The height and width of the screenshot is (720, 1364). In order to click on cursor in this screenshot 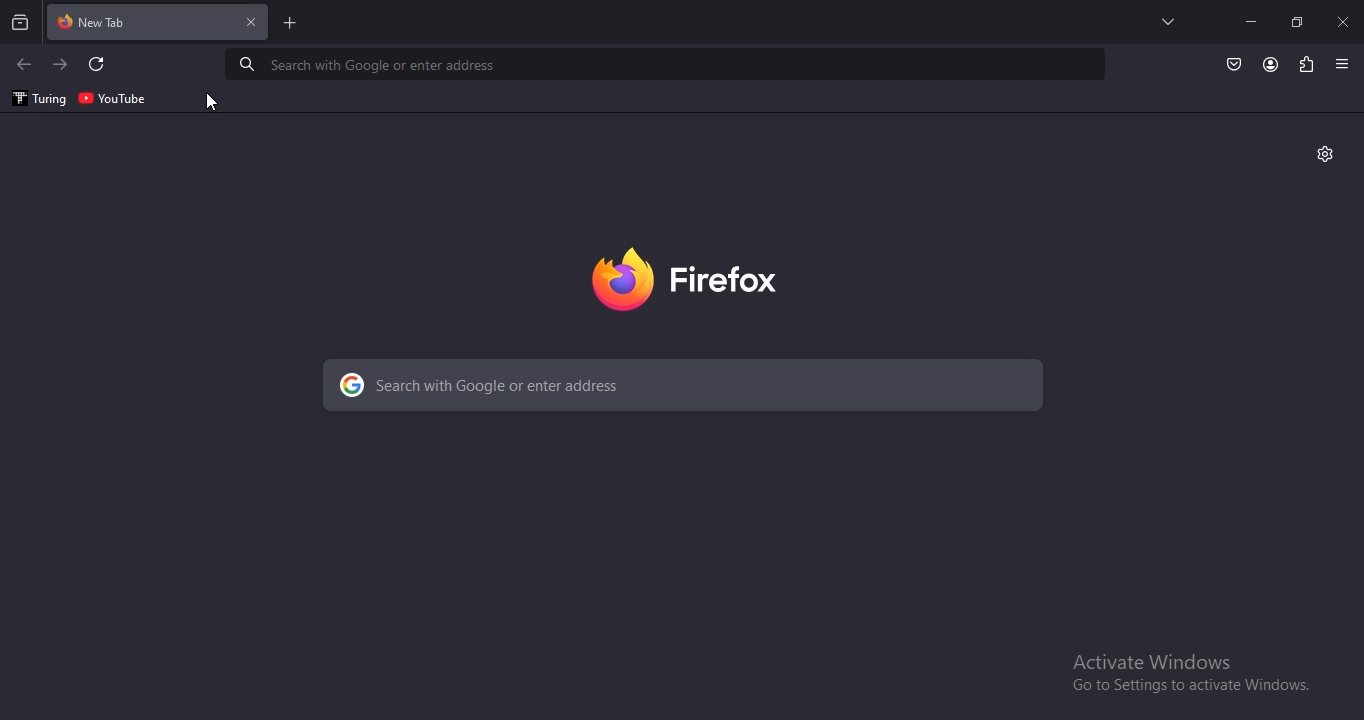, I will do `click(211, 104)`.